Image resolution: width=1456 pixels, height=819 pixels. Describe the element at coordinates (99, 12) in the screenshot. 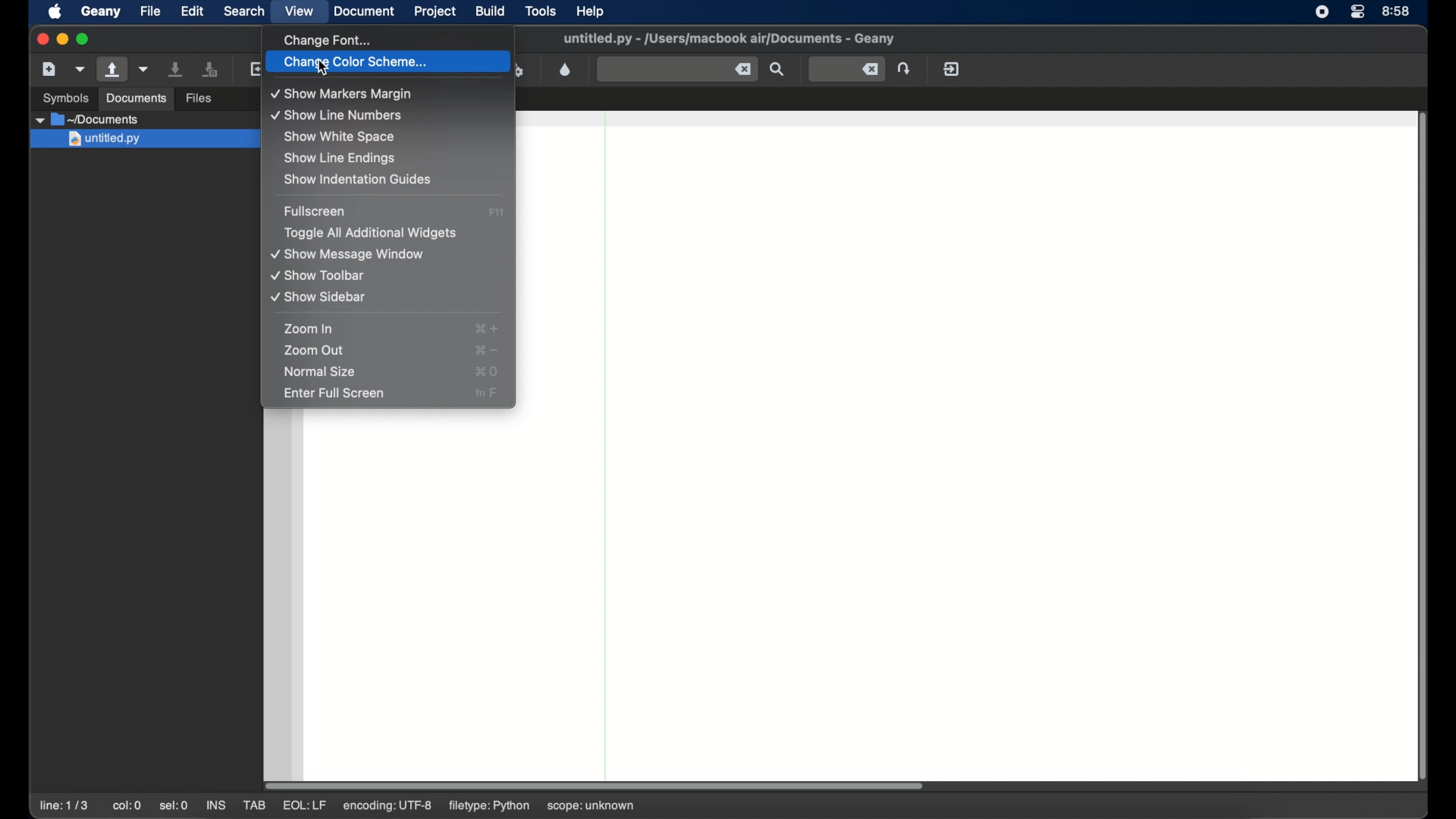

I see `geany` at that location.